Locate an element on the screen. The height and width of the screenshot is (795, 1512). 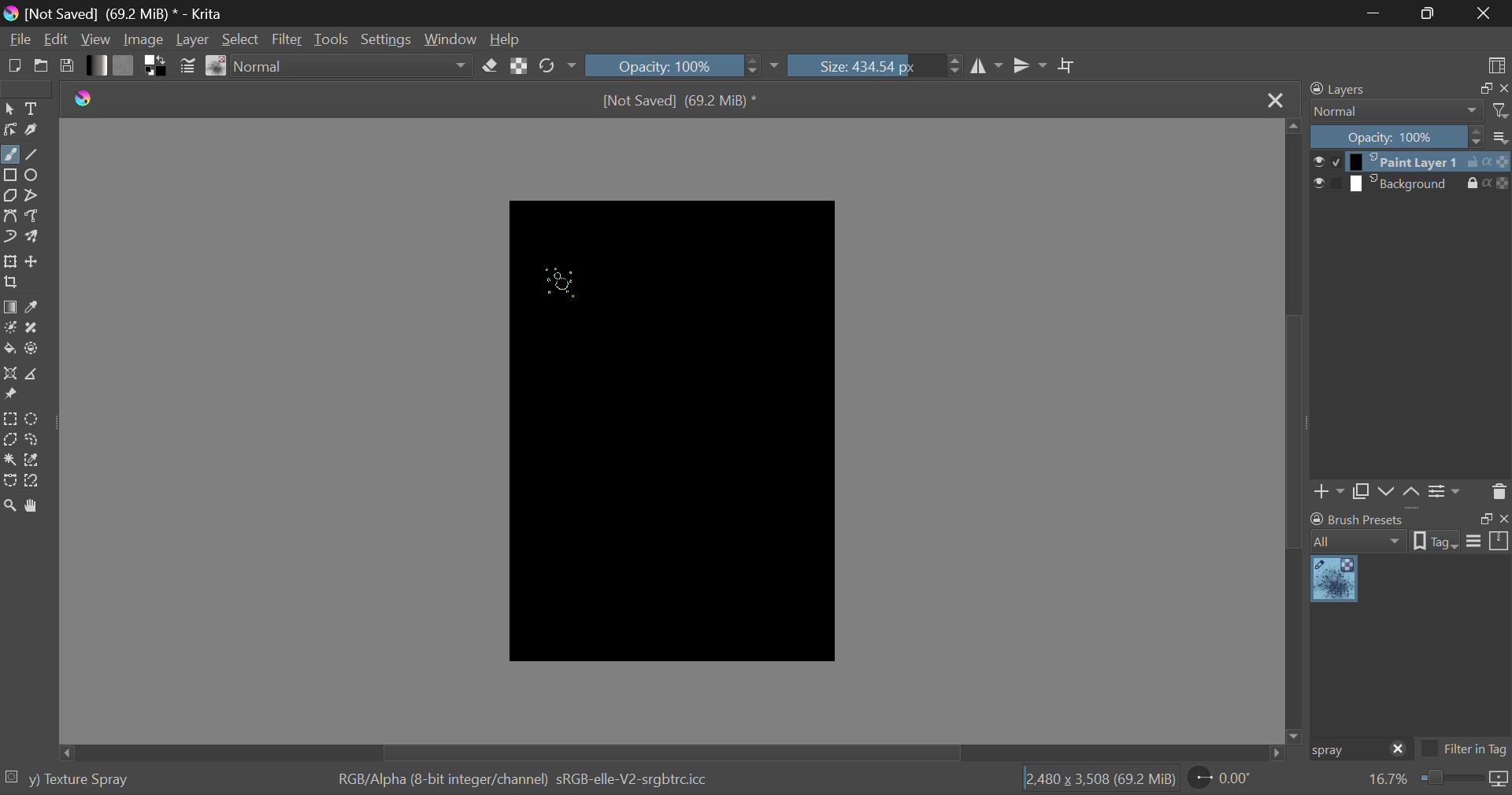
Filter in Tag is located at coordinates (1465, 751).